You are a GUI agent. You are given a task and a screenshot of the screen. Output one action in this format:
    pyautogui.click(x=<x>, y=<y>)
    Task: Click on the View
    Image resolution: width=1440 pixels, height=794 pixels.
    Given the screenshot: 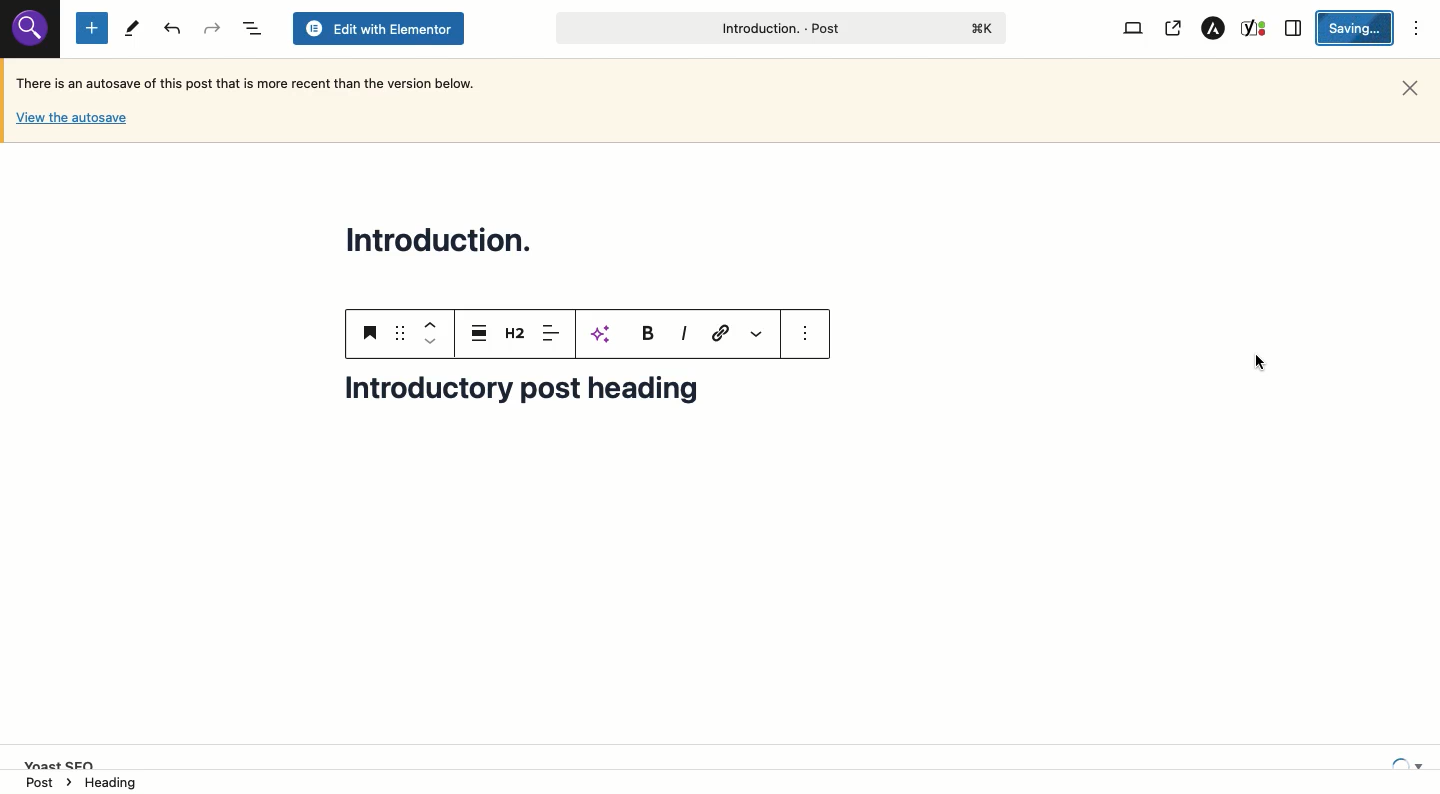 What is the action you would take?
    pyautogui.click(x=1133, y=29)
    